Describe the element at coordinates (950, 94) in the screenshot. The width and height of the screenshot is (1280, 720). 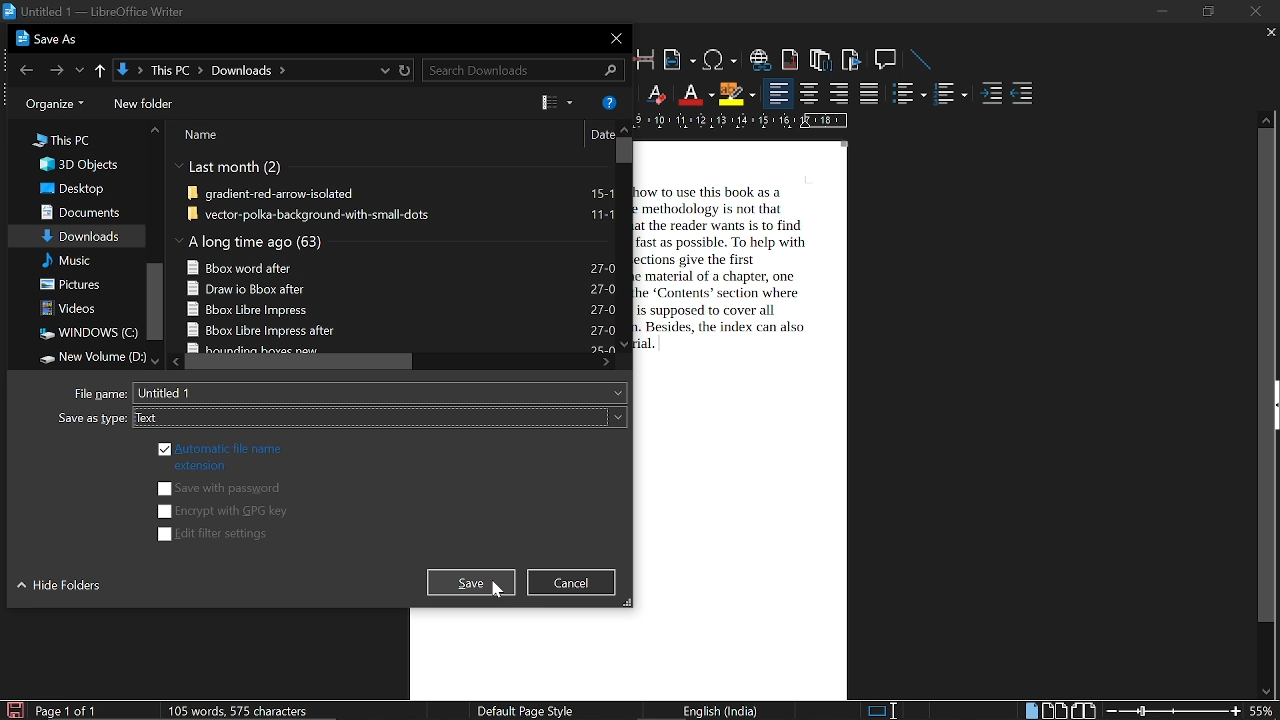
I see `toggle unordered list` at that location.